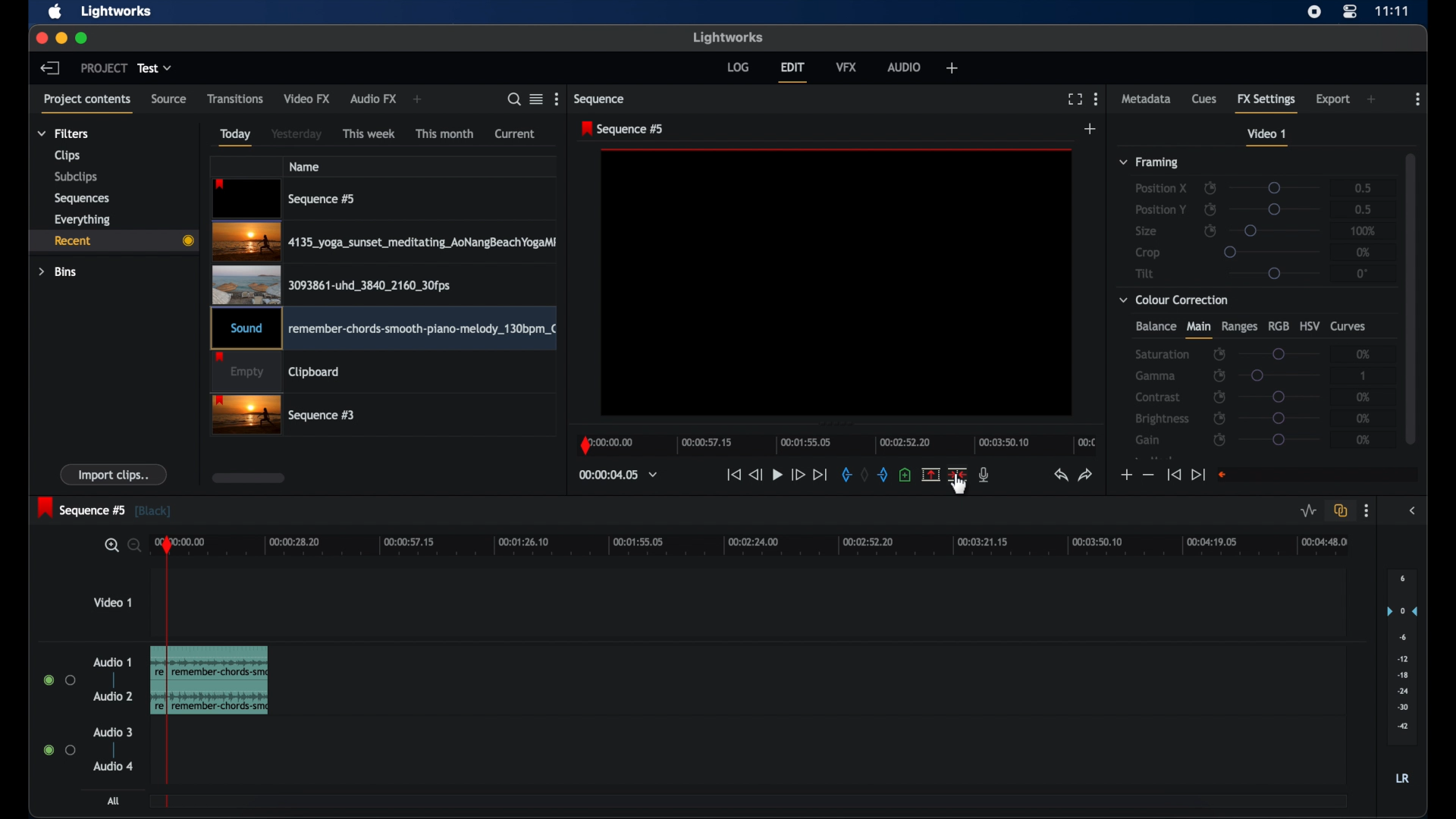  Describe the element at coordinates (64, 133) in the screenshot. I see `filters` at that location.